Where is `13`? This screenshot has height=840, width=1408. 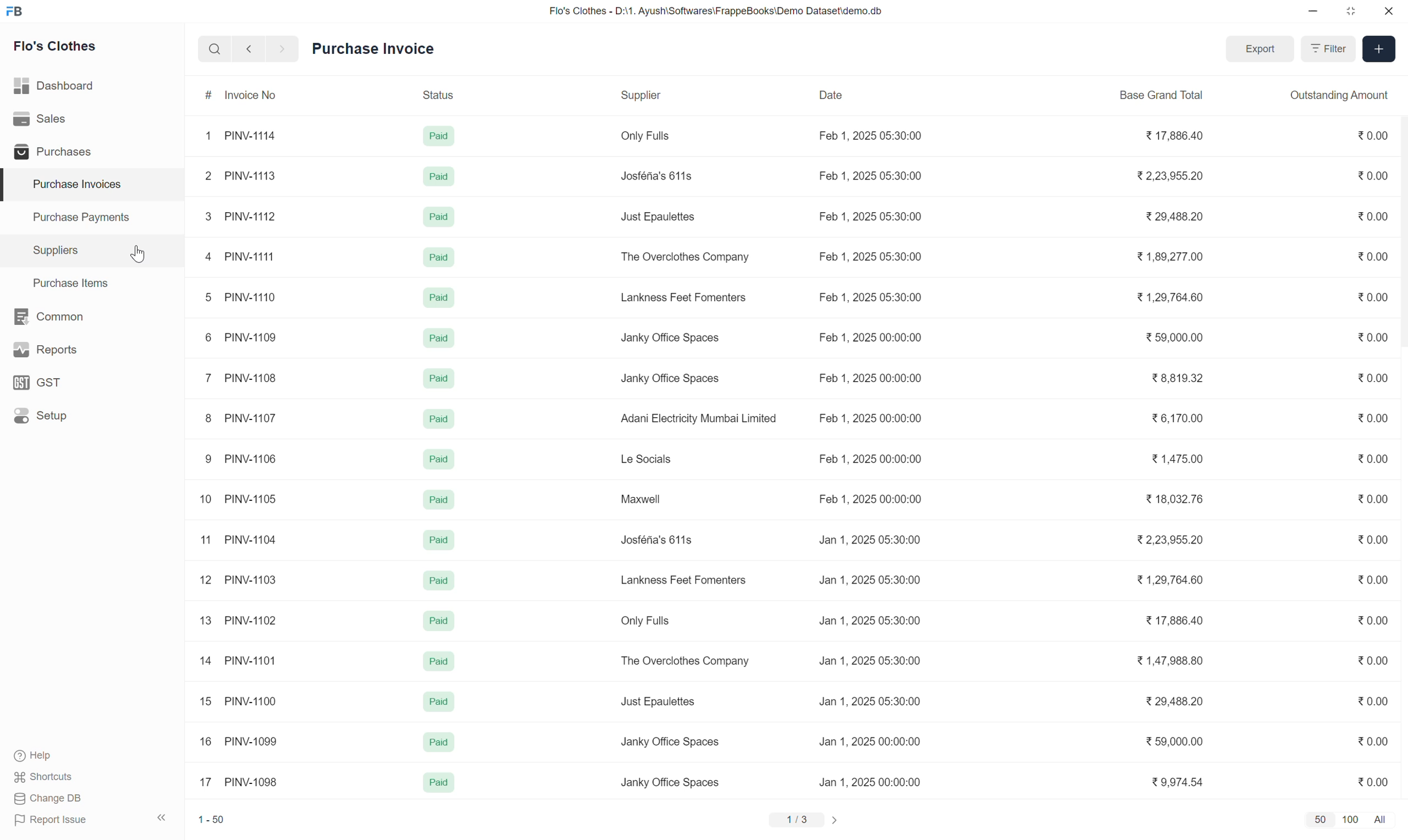
13 is located at coordinates (206, 621).